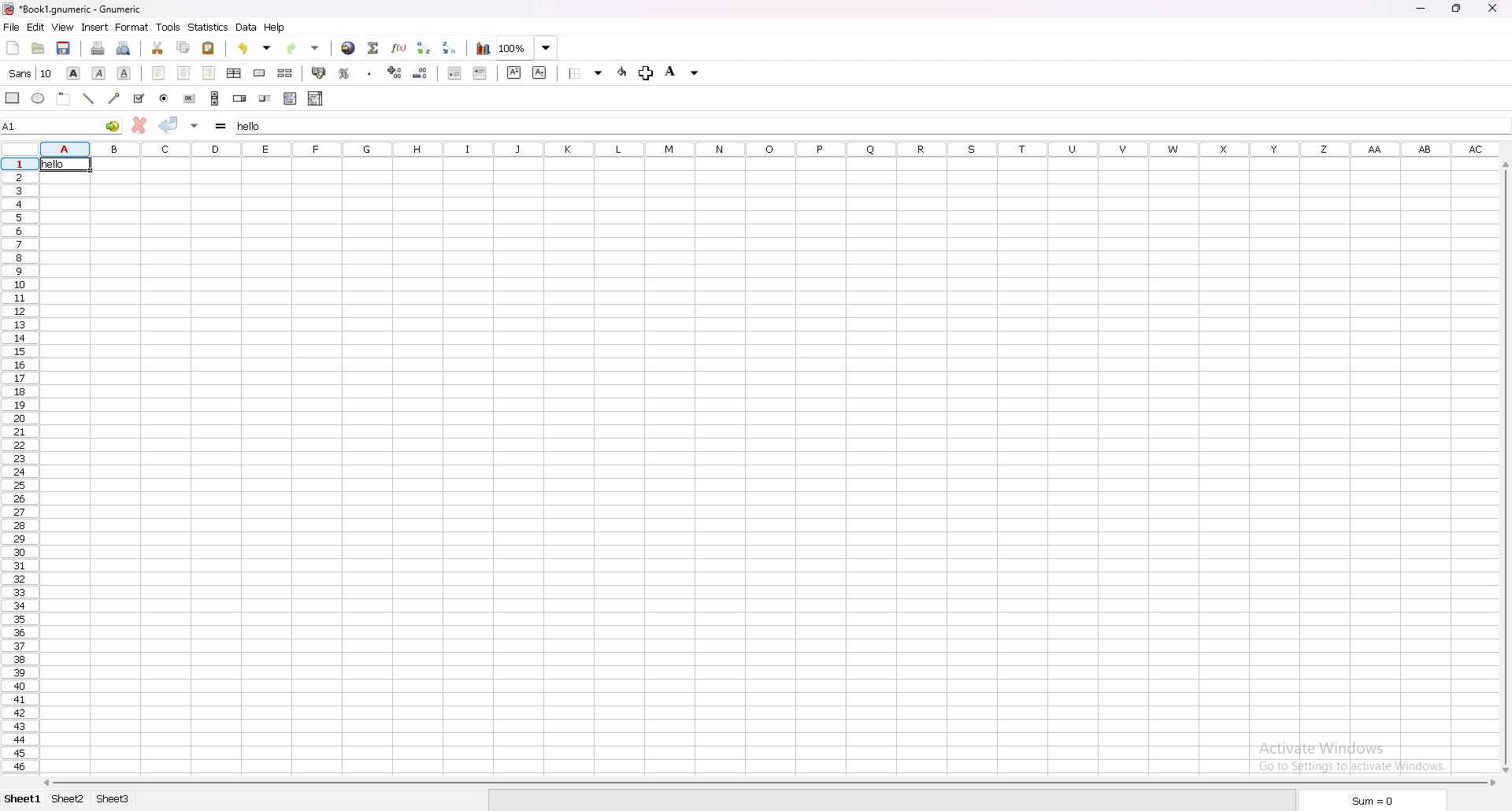  I want to click on formula, so click(222, 124).